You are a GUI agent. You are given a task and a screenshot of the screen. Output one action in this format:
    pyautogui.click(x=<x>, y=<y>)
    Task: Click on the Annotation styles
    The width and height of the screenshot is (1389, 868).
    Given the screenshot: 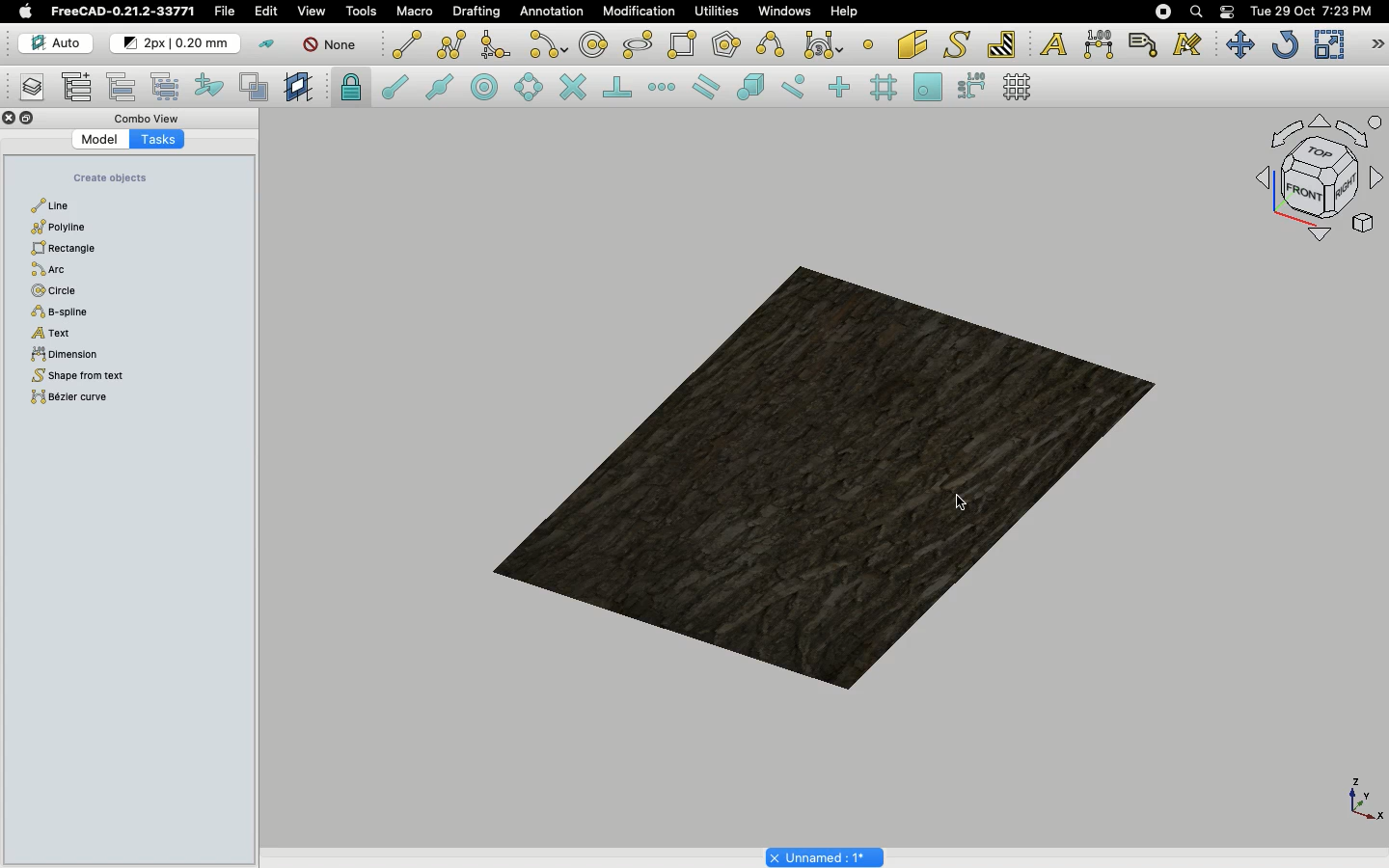 What is the action you would take?
    pyautogui.click(x=1186, y=46)
    